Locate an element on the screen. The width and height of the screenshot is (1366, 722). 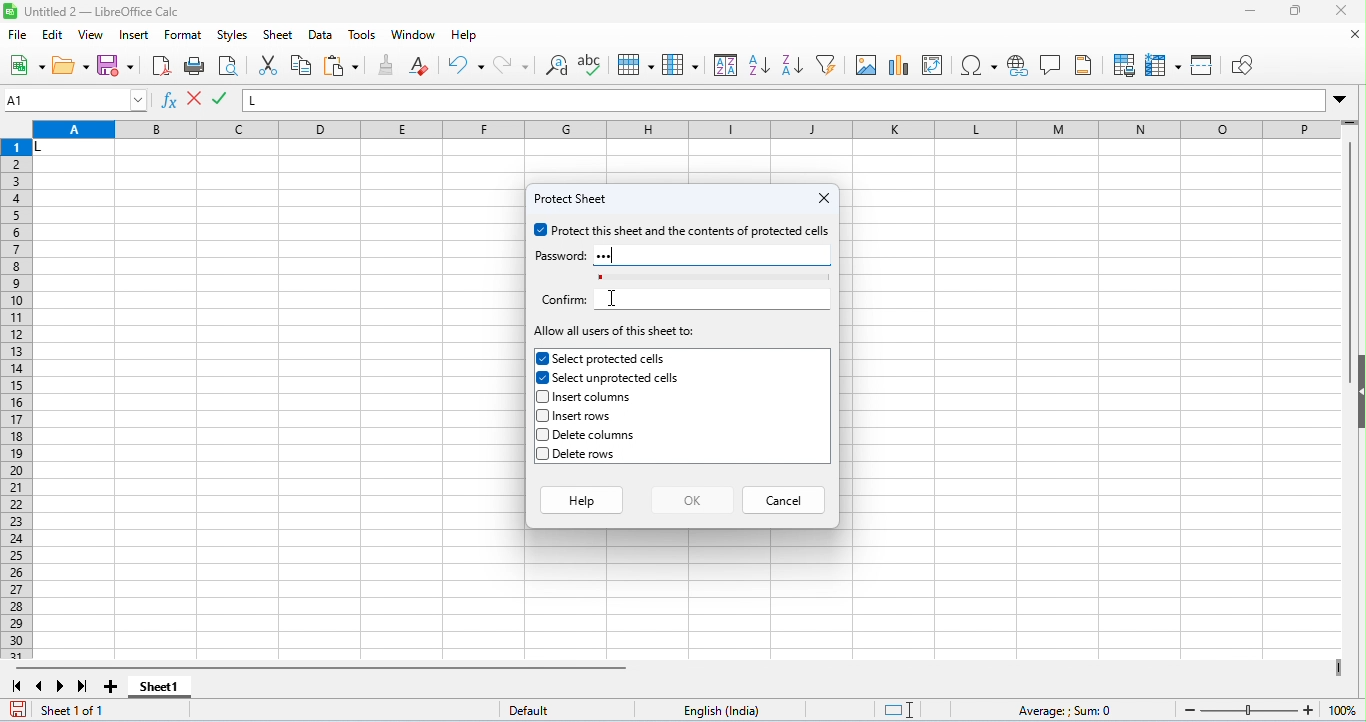
print is located at coordinates (195, 67).